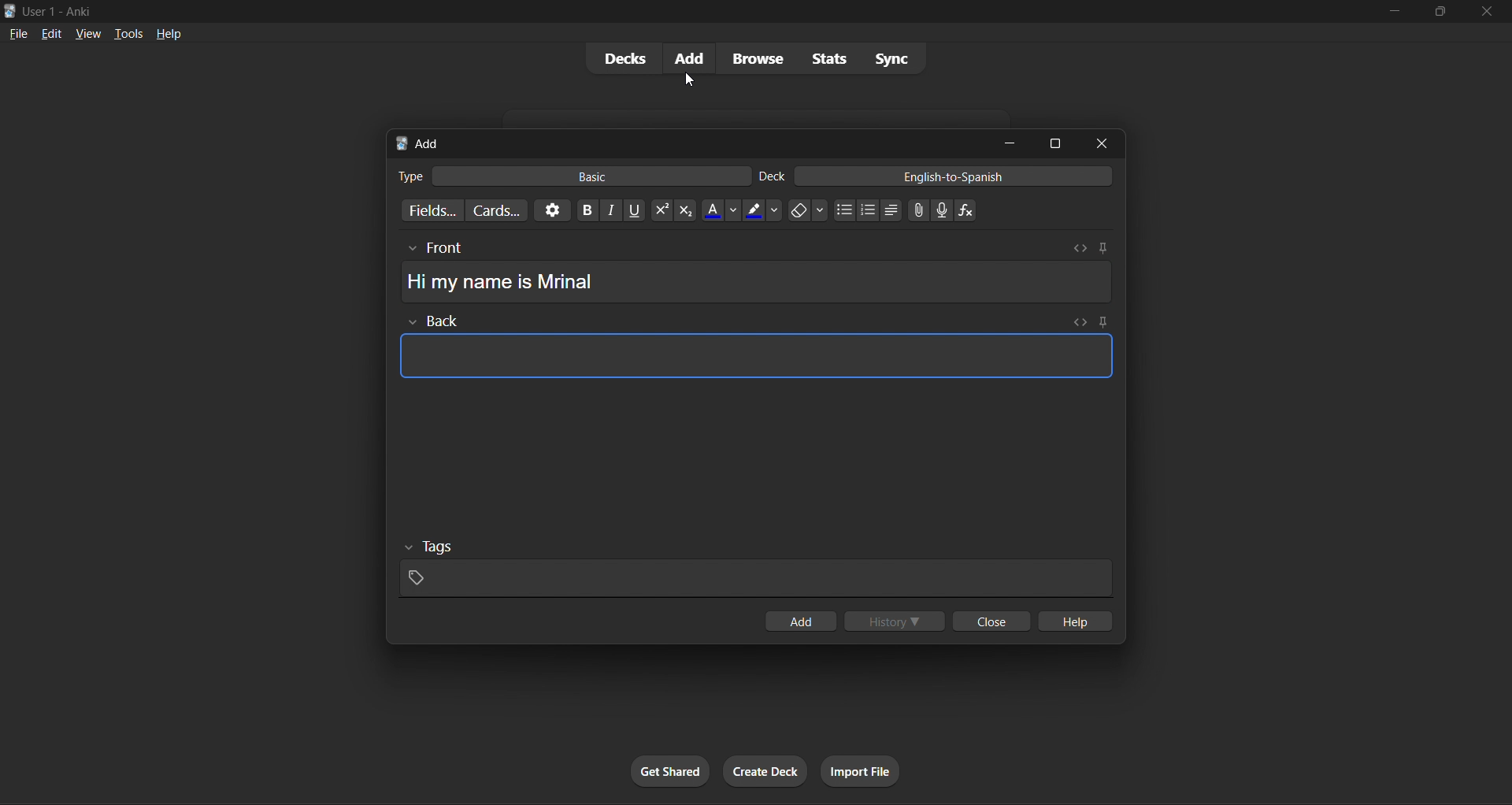  What do you see at coordinates (1106, 143) in the screenshot?
I see `close` at bounding box center [1106, 143].